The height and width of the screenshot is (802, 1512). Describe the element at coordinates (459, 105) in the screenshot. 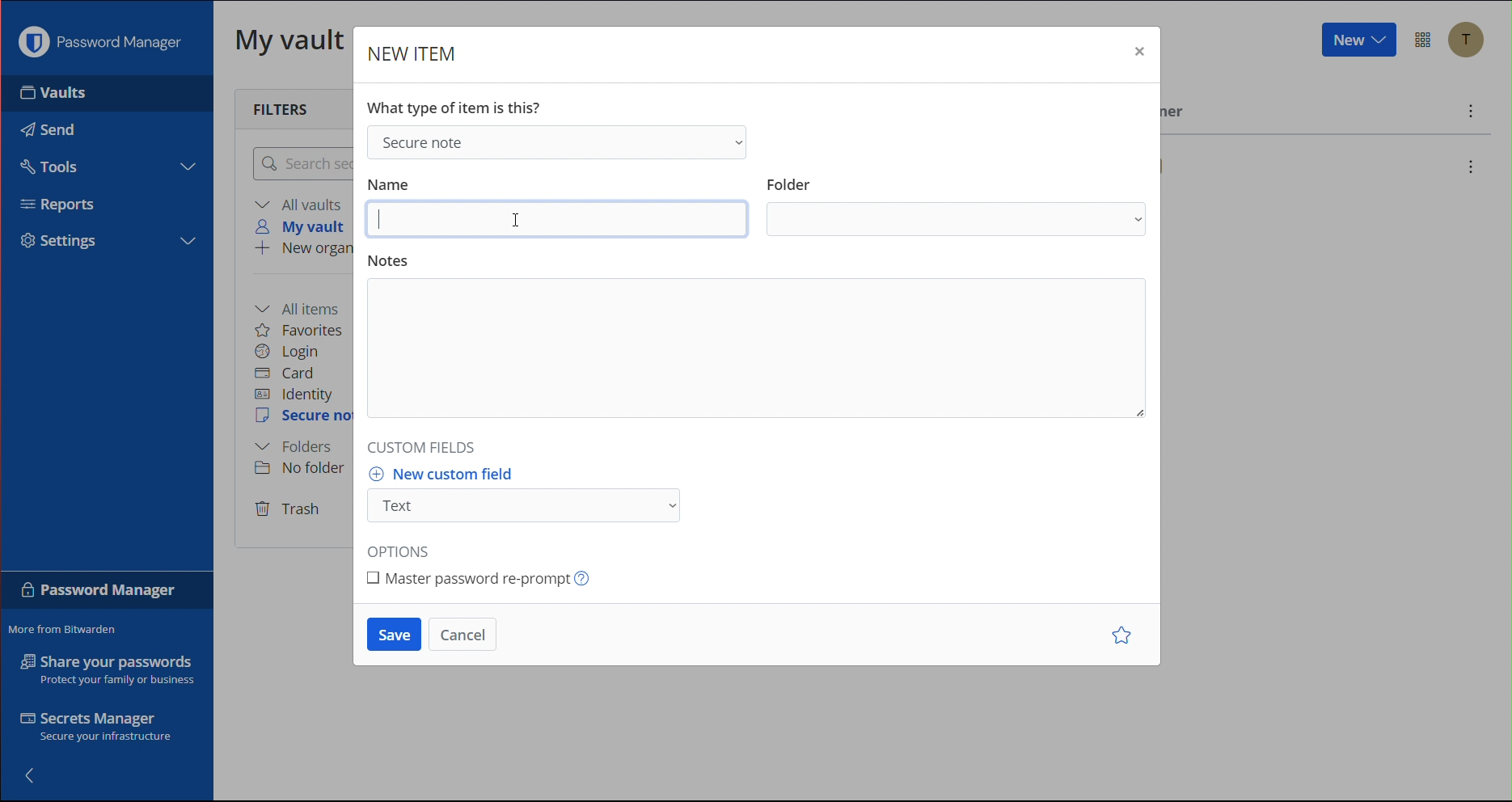

I see `What type of item is this?` at that location.